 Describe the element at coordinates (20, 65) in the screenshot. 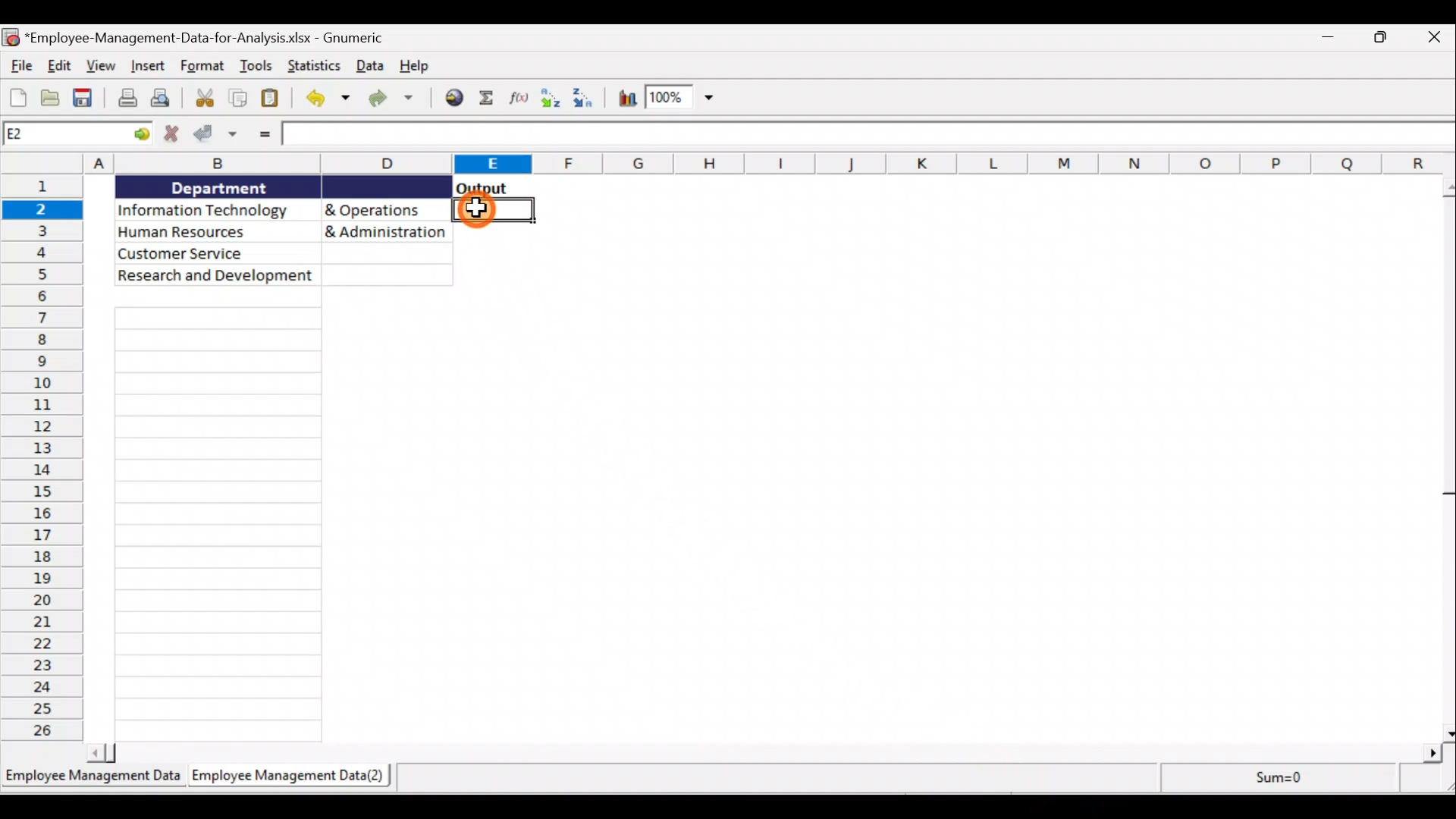

I see `File` at that location.